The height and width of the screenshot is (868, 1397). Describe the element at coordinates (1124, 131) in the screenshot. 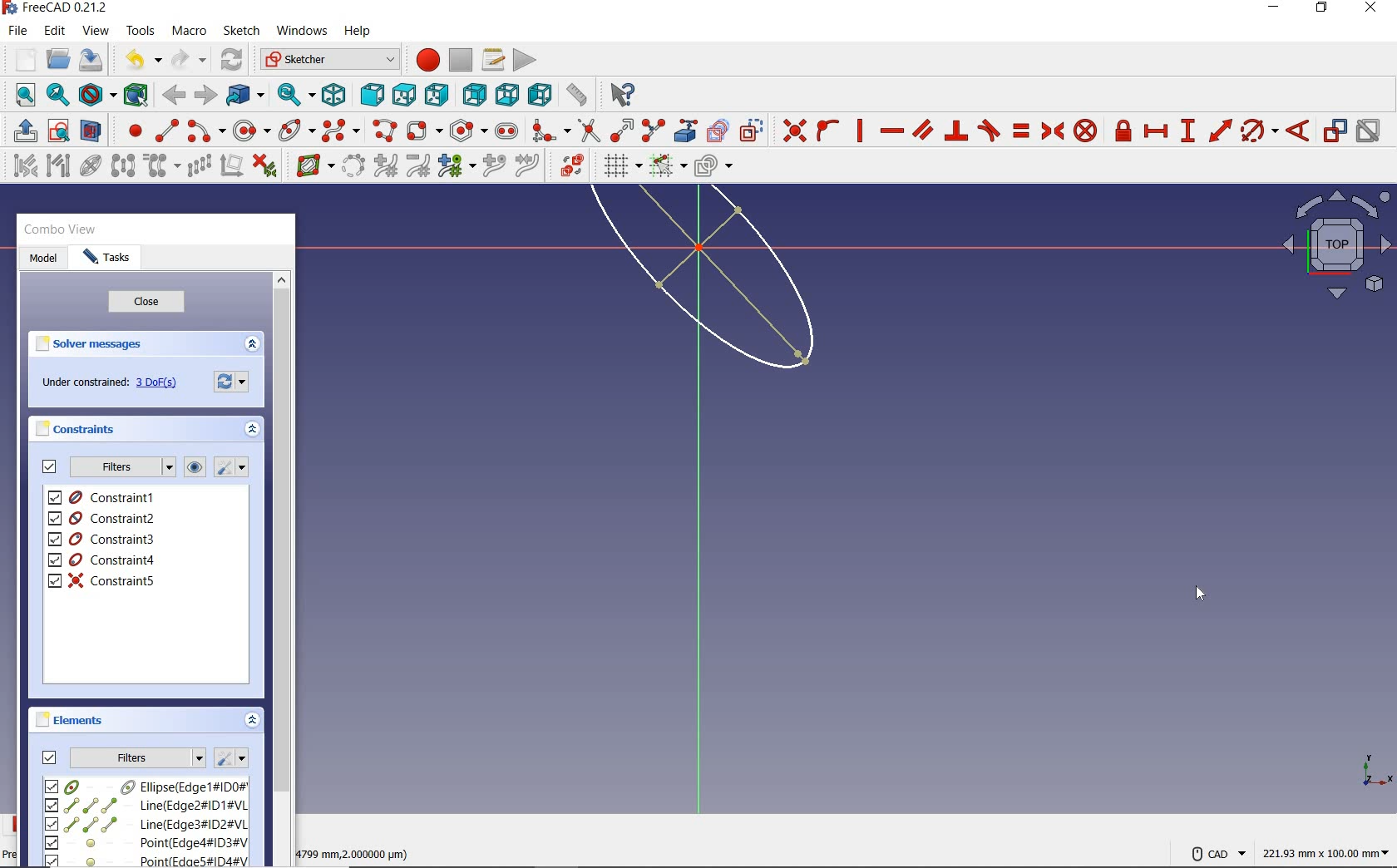

I see `constrin lock` at that location.